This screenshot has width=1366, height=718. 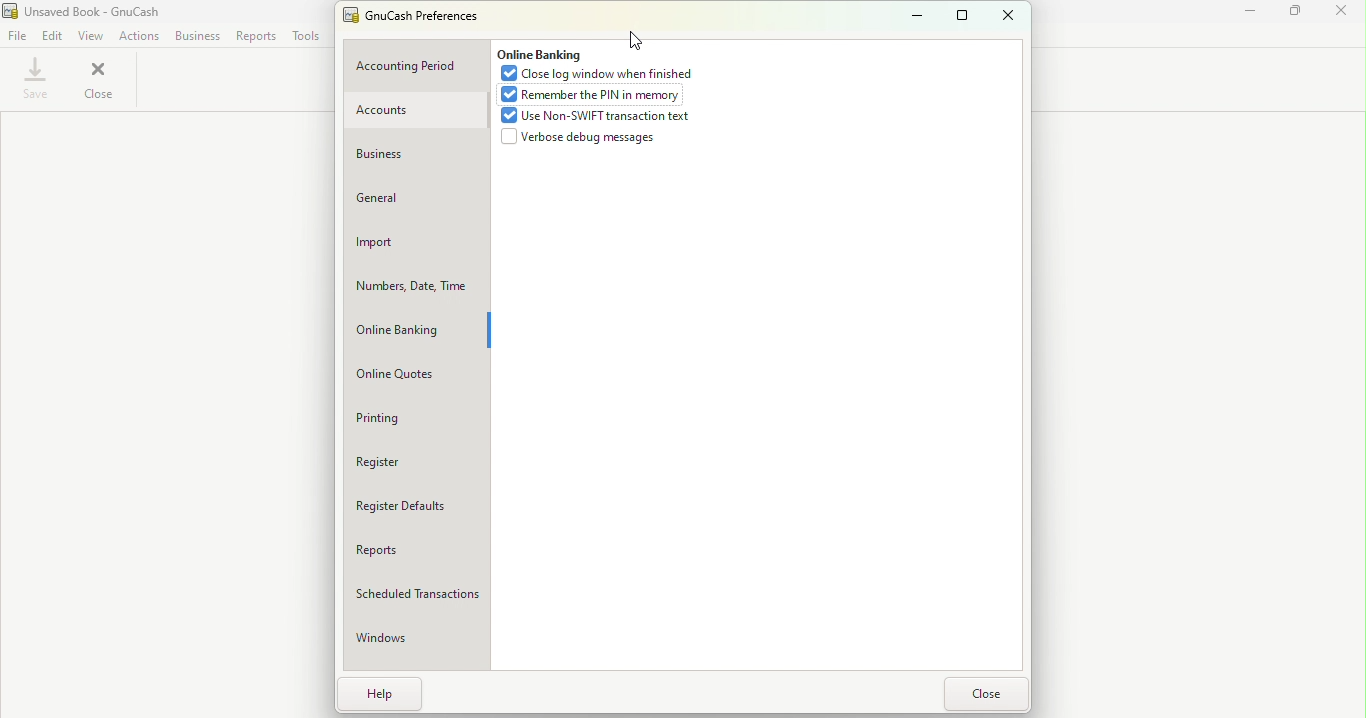 What do you see at coordinates (411, 330) in the screenshot?
I see `Online banking` at bounding box center [411, 330].